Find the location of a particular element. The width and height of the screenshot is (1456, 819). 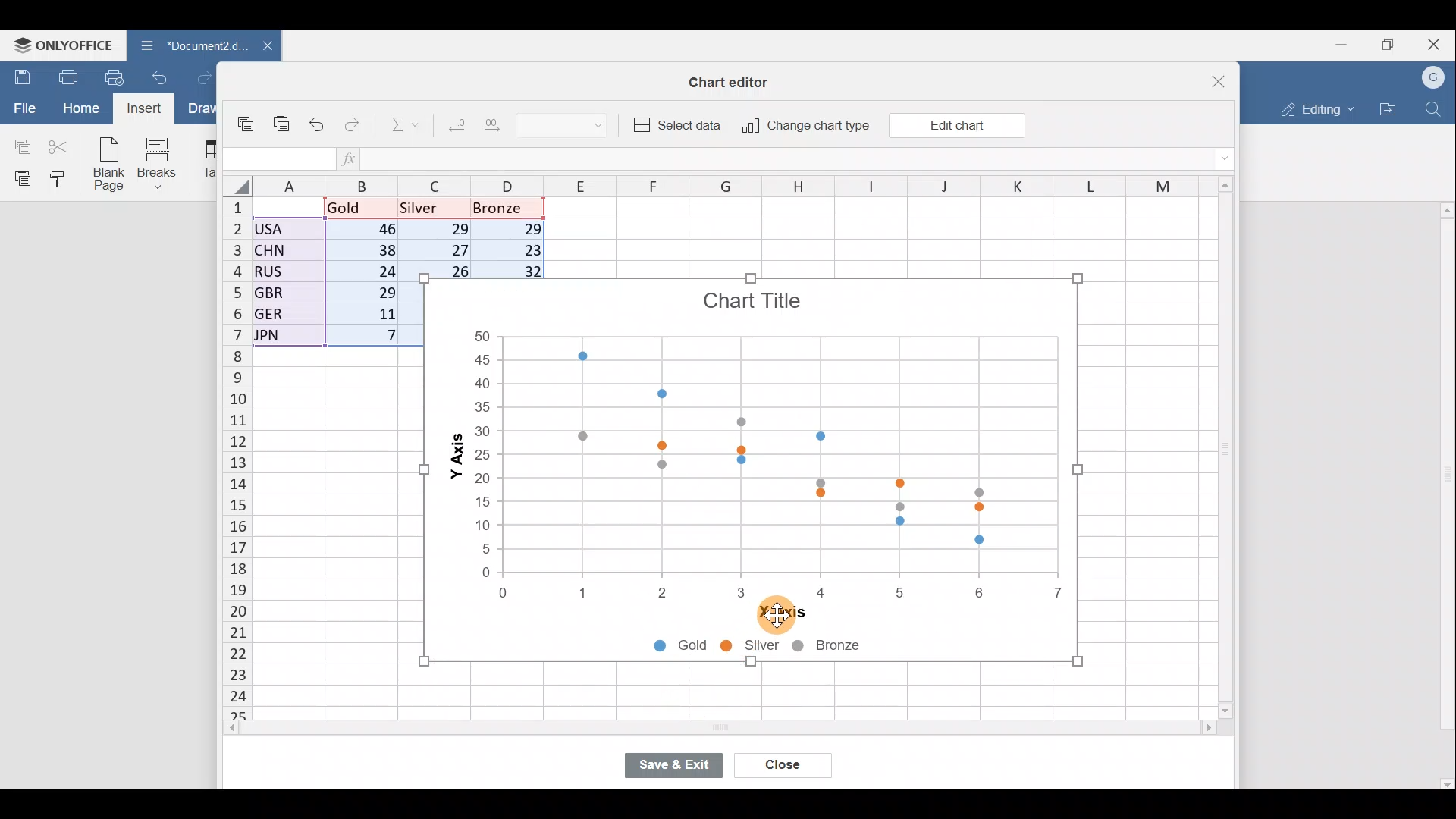

Redo is located at coordinates (354, 121).